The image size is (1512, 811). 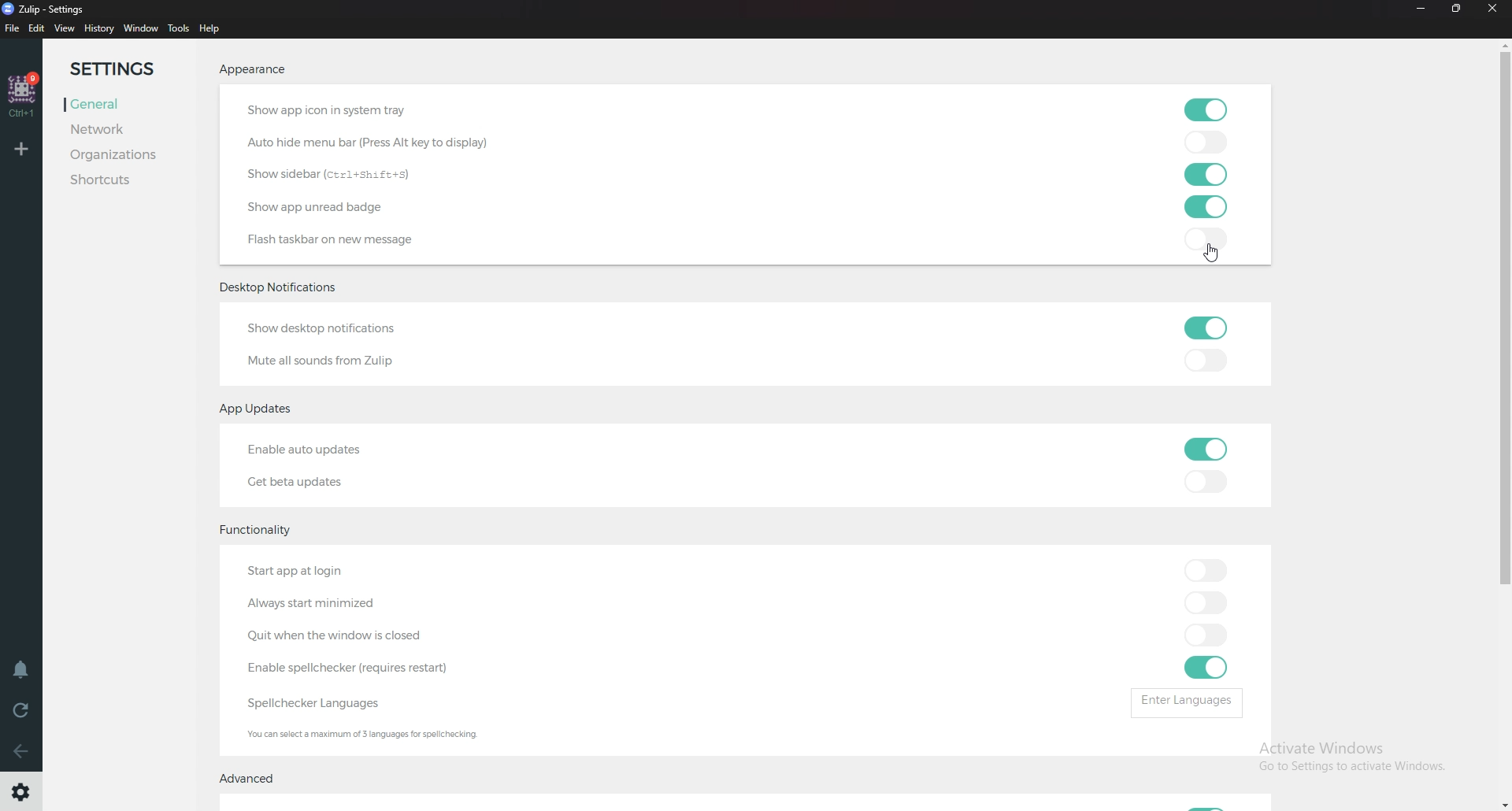 What do you see at coordinates (337, 636) in the screenshot?
I see `Quit when the window is closed` at bounding box center [337, 636].